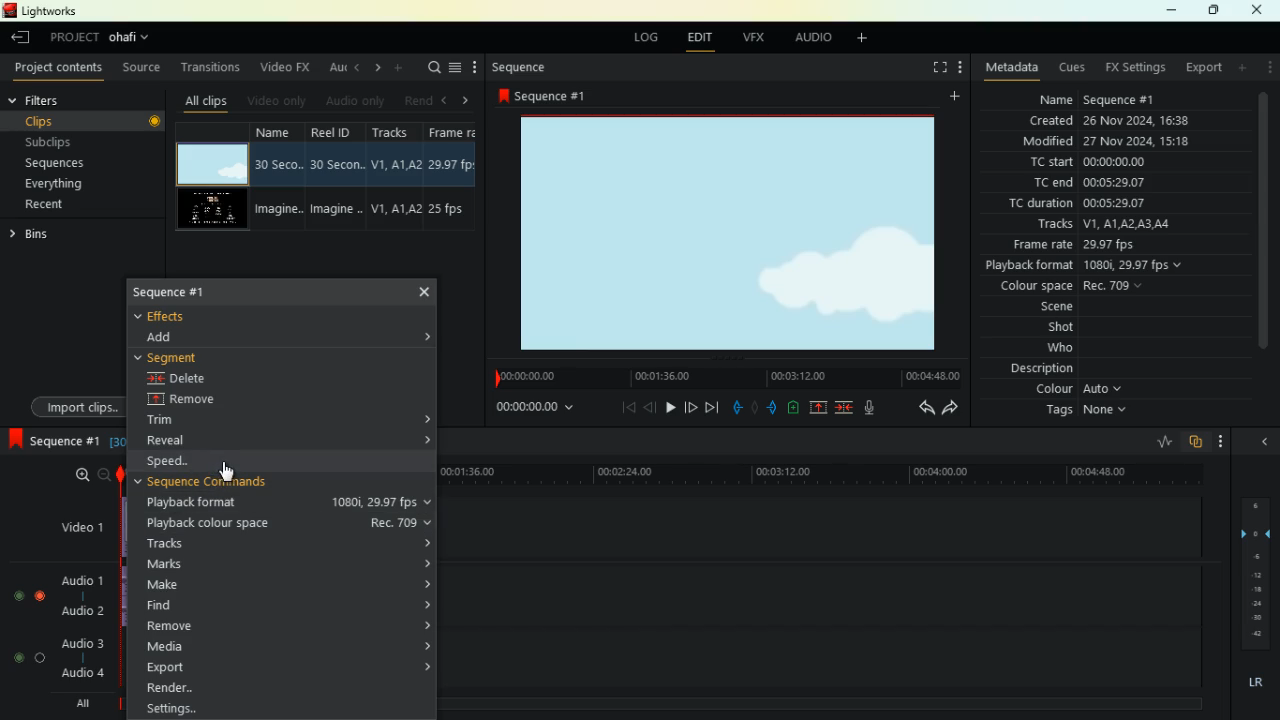 The width and height of the screenshot is (1280, 720). Describe the element at coordinates (18, 38) in the screenshot. I see `back` at that location.